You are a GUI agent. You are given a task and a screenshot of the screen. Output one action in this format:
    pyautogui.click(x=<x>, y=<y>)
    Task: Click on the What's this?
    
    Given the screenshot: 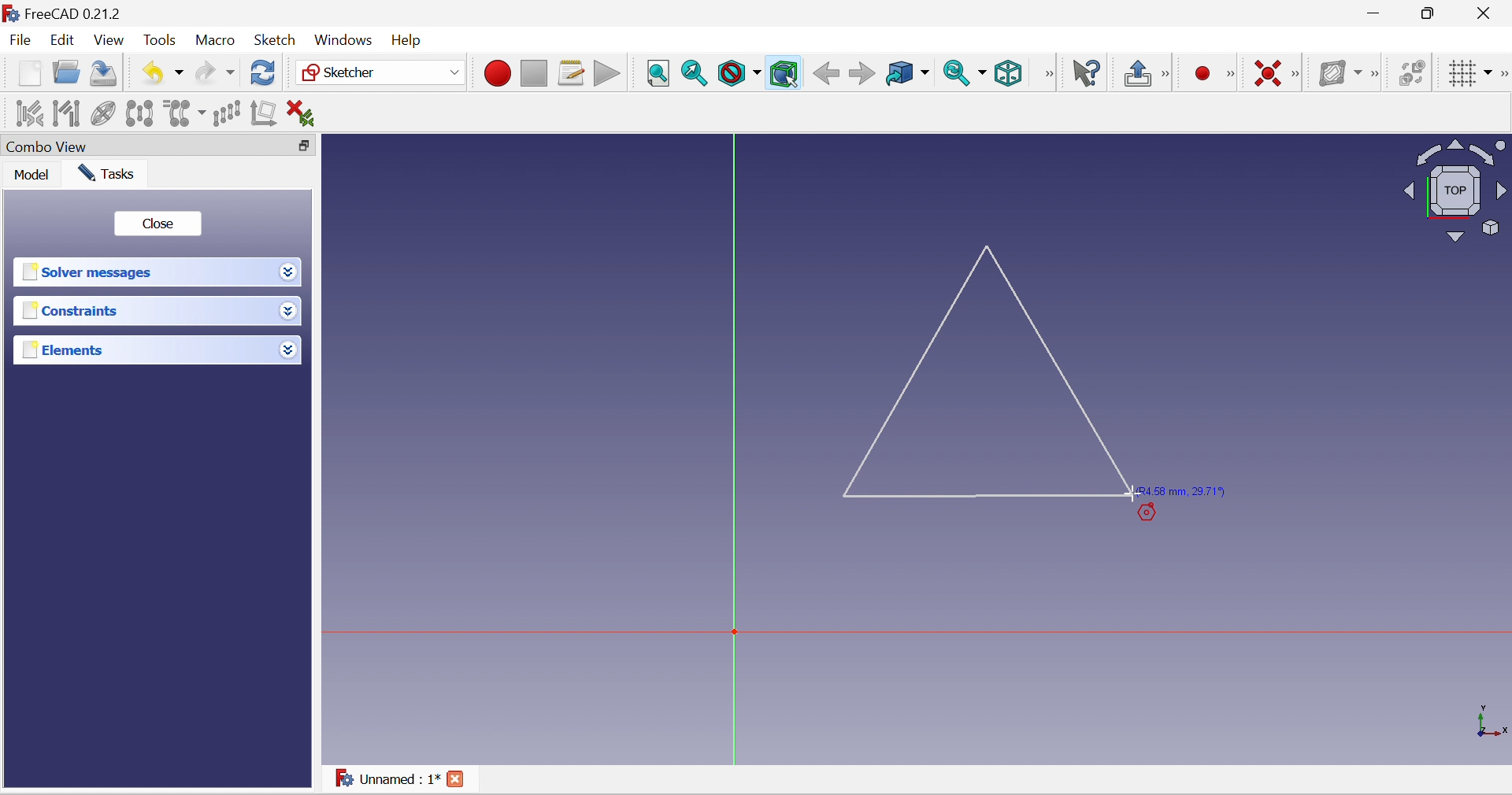 What is the action you would take?
    pyautogui.click(x=1084, y=73)
    